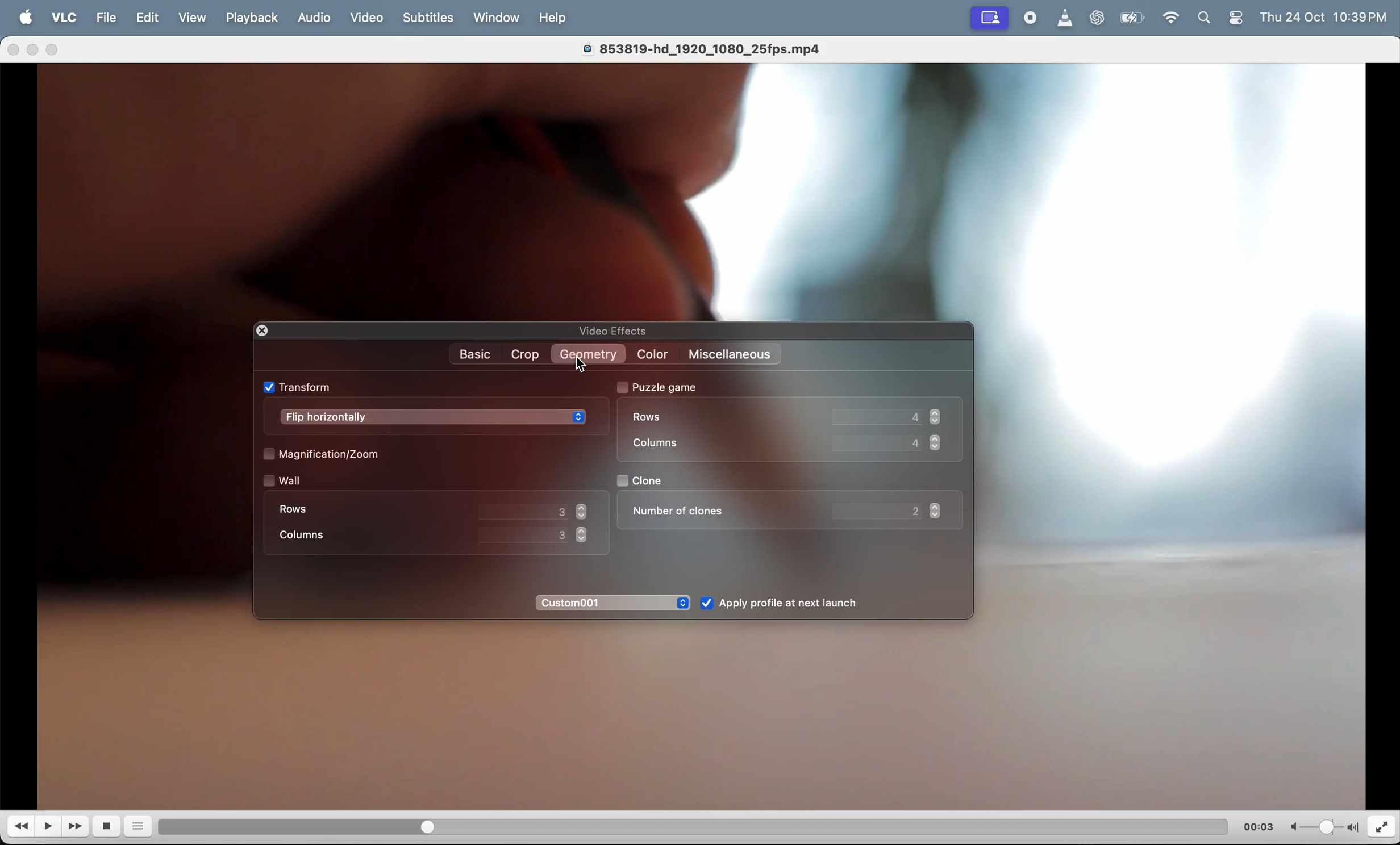 This screenshot has height=845, width=1400. I want to click on apple widgets, so click(1222, 18).